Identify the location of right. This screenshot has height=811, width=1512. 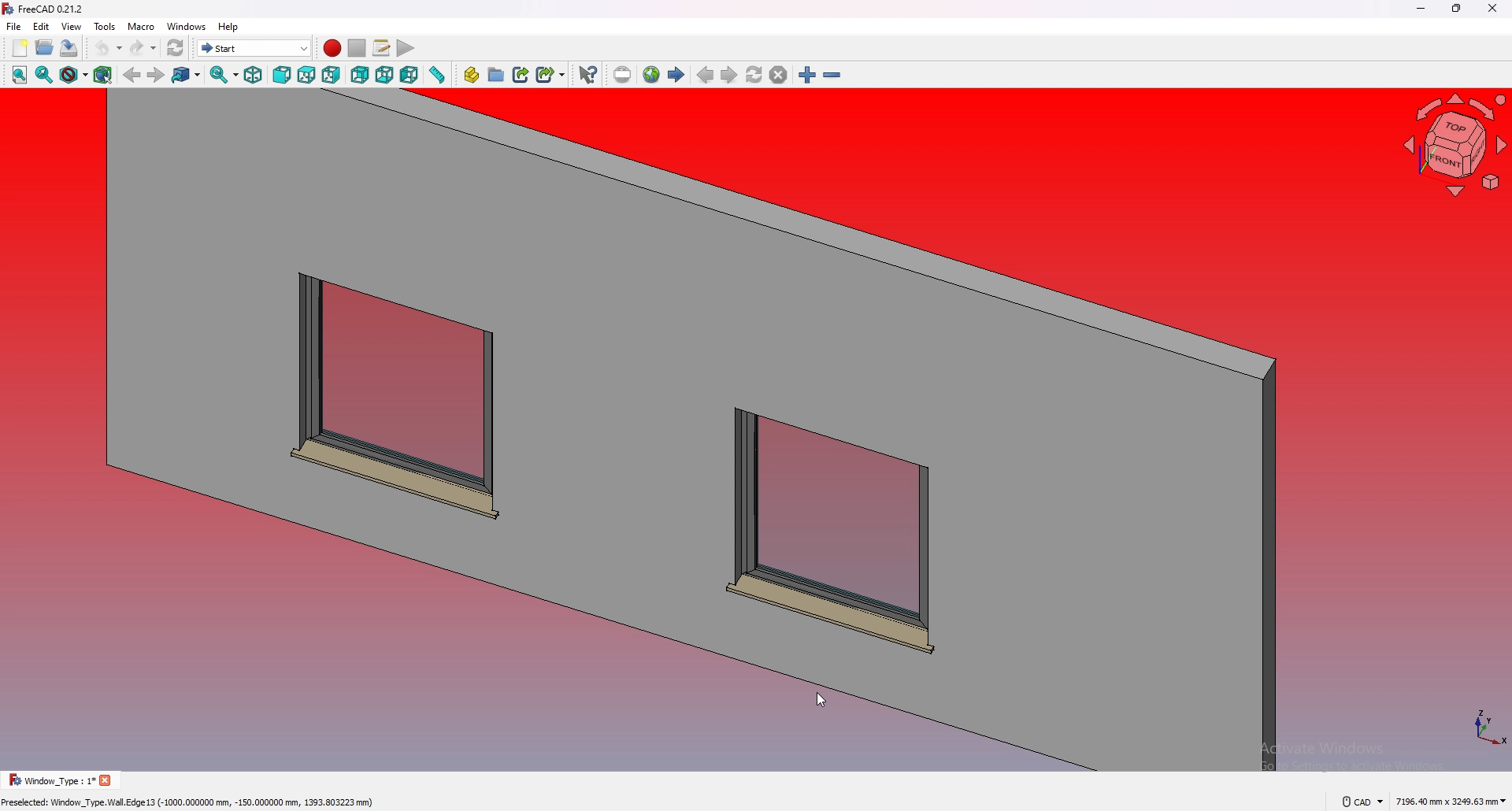
(332, 75).